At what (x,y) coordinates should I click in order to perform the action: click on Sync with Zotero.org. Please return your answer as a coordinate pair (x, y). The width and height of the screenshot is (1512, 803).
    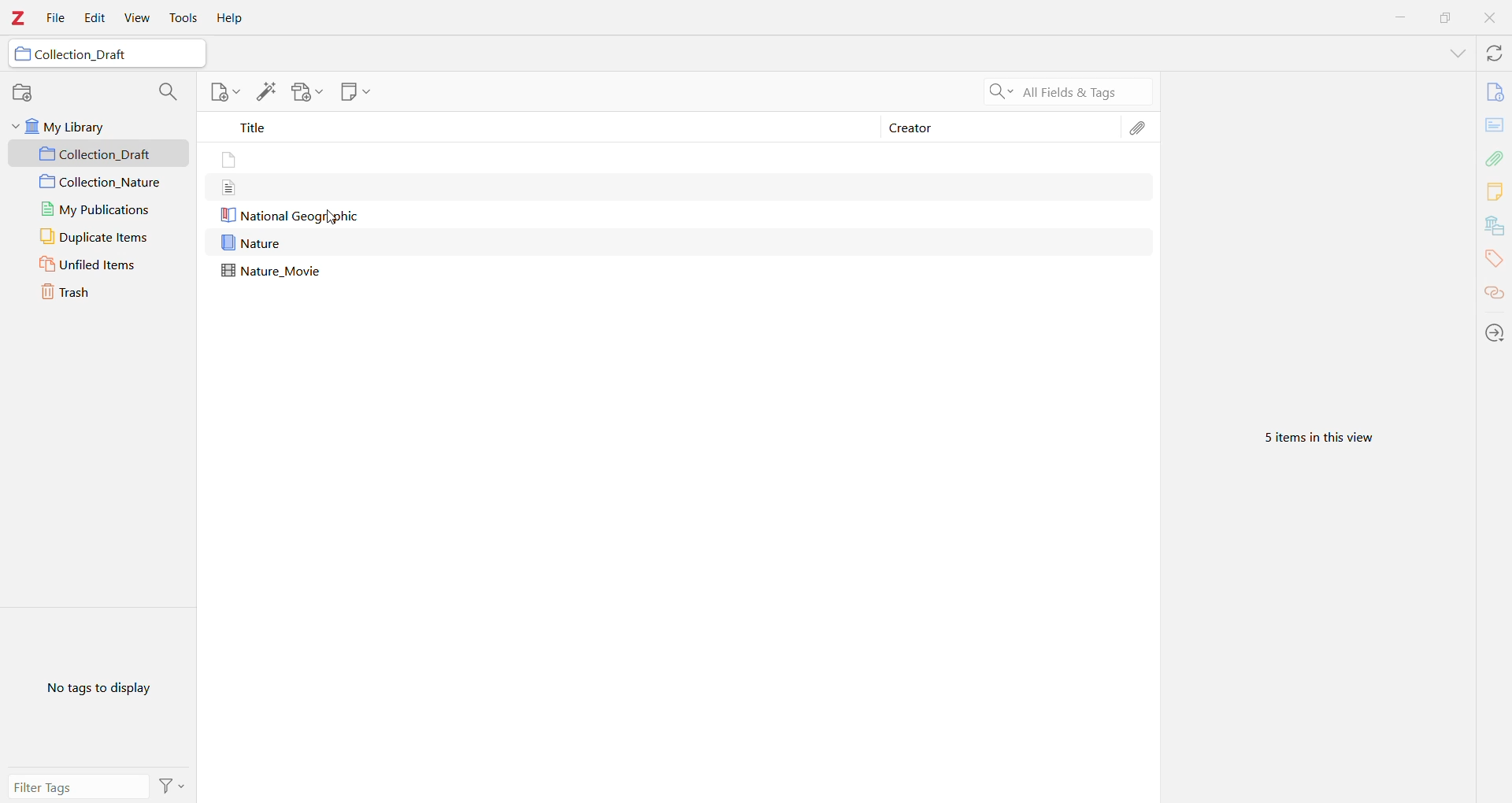
    Looking at the image, I should click on (1492, 54).